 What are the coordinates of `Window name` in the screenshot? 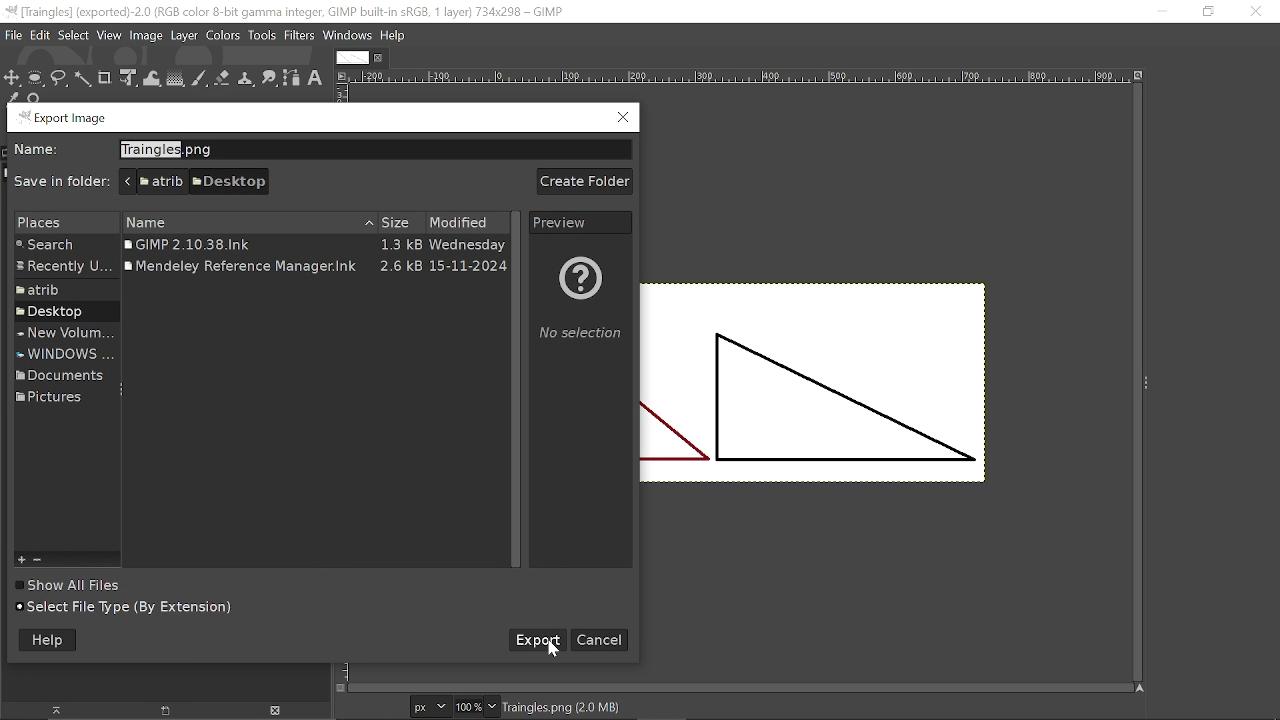 It's located at (66, 118).